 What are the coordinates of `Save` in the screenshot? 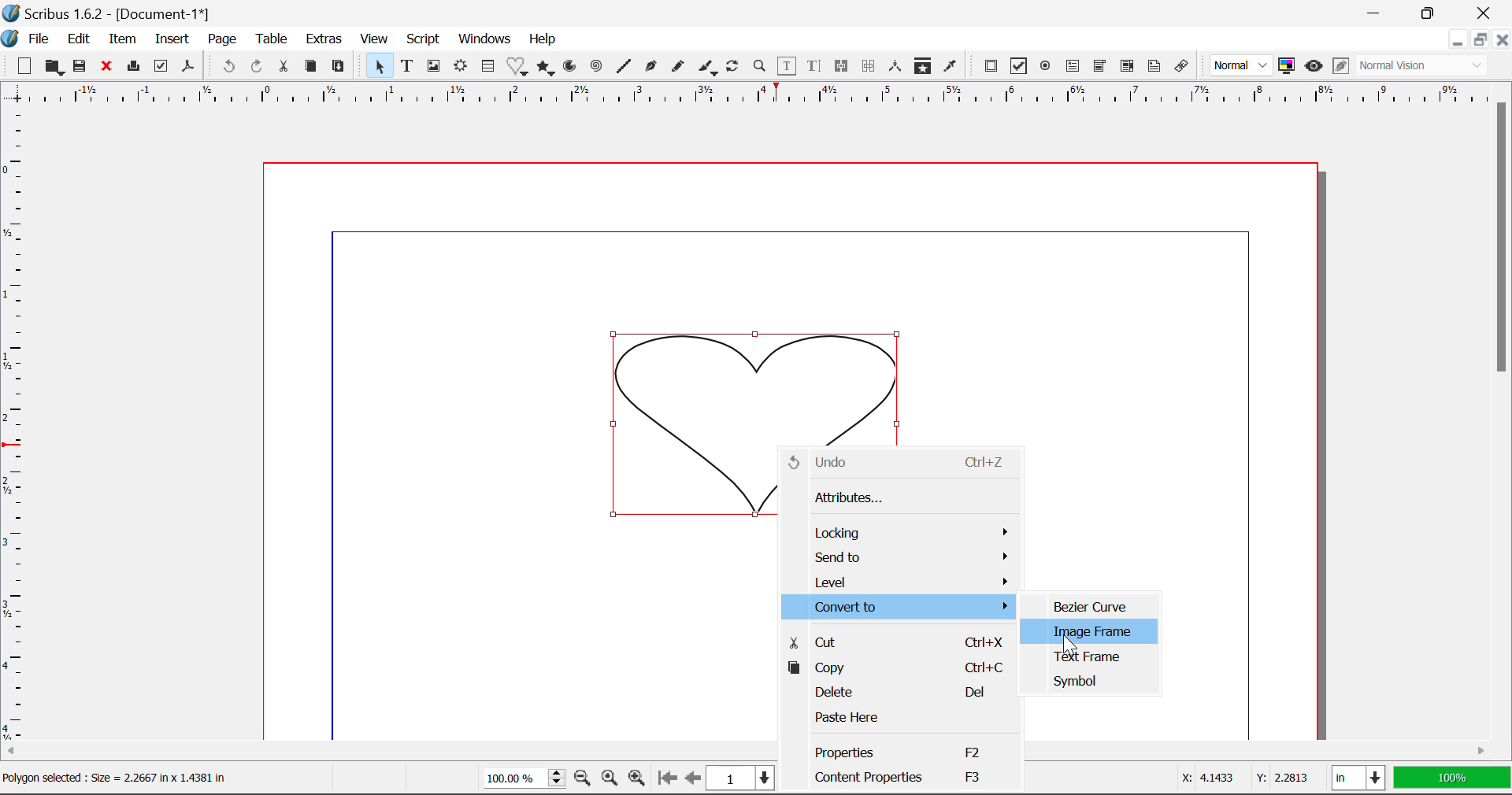 It's located at (84, 68).